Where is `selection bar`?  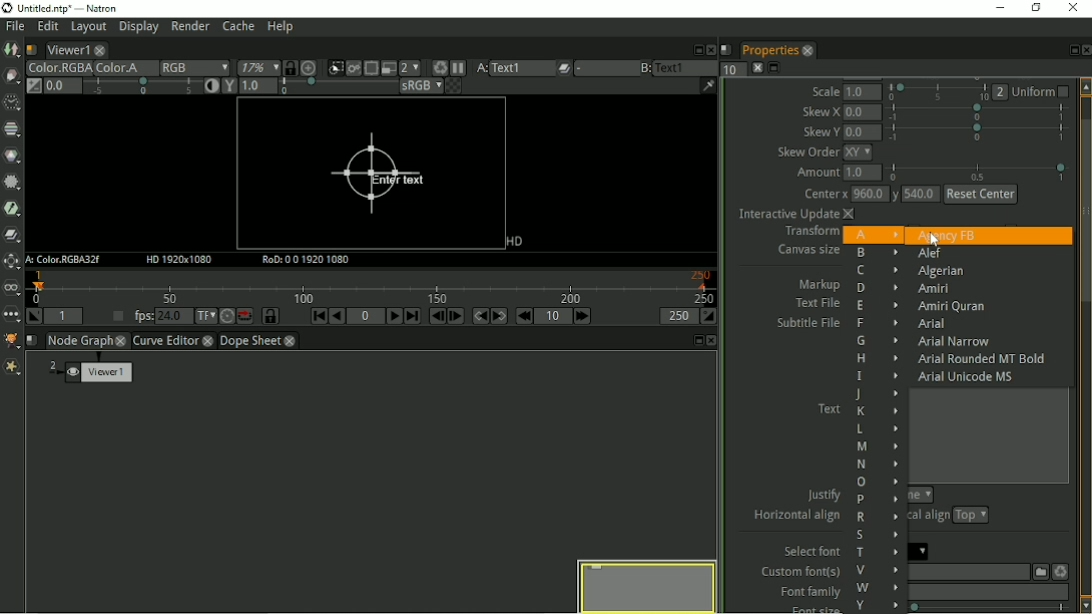
selection bar is located at coordinates (991, 608).